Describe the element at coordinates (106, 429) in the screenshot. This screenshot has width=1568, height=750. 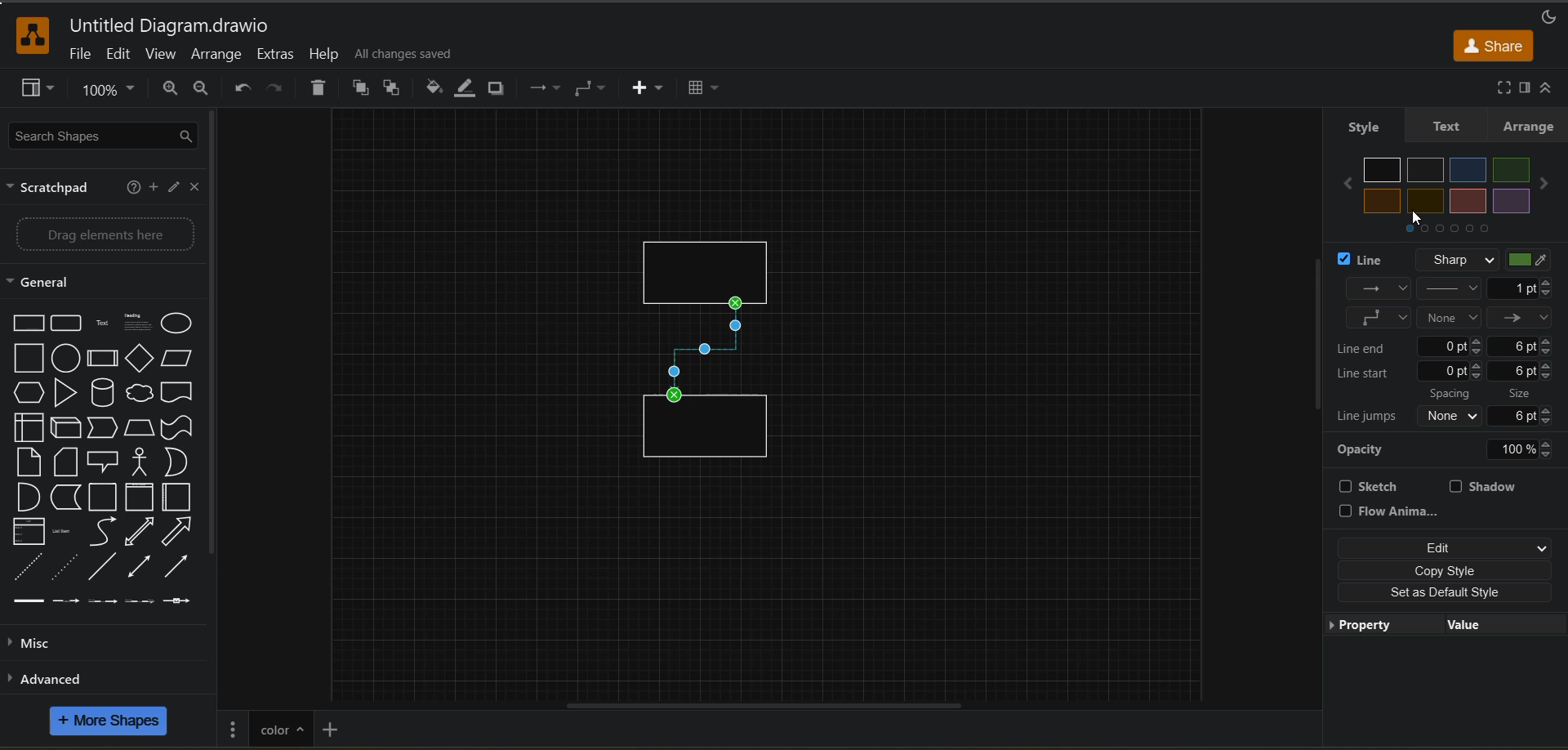
I see `Step` at that location.